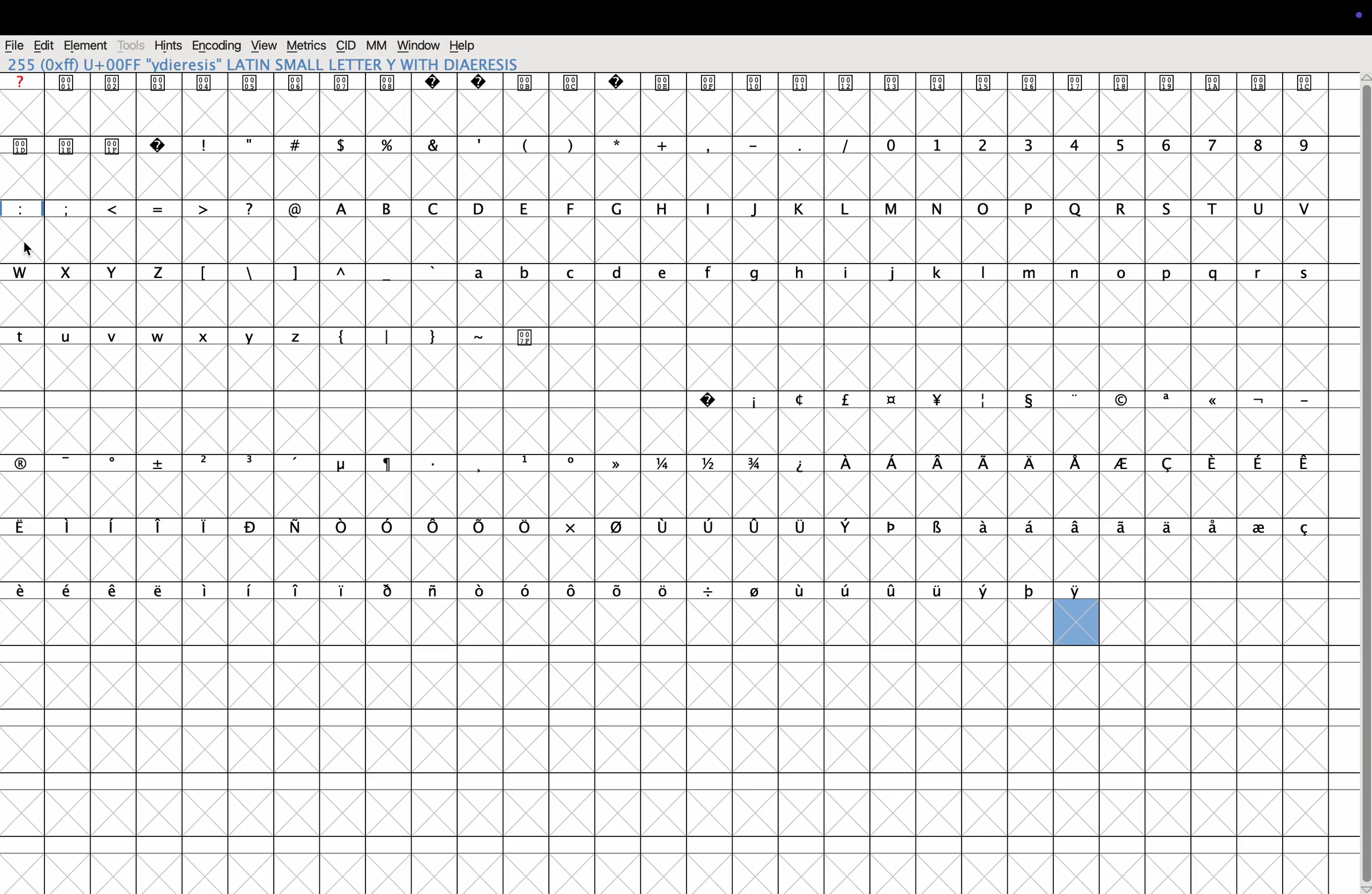 This screenshot has height=894, width=1372. I want to click on n, so click(1078, 297).